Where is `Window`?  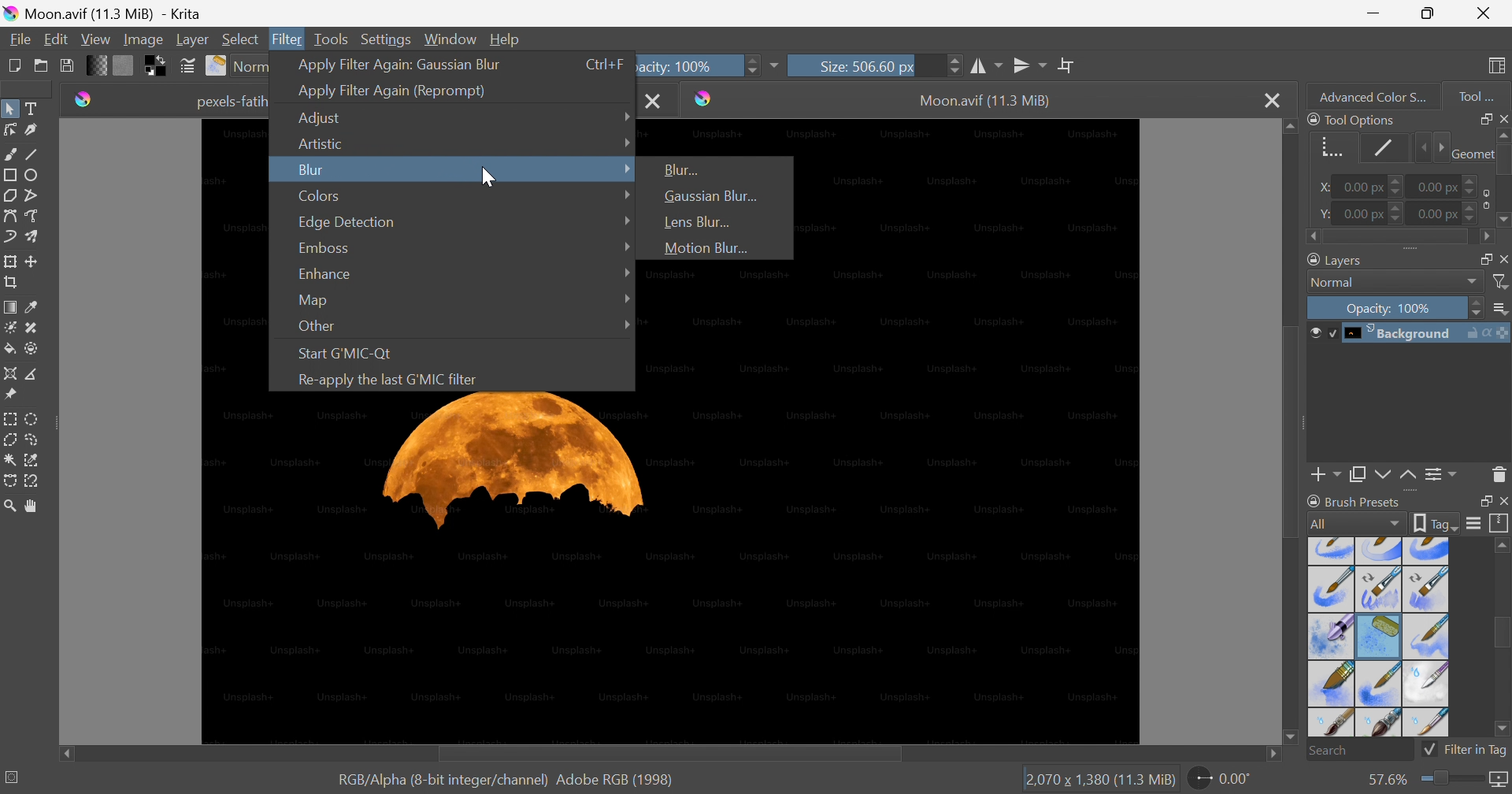 Window is located at coordinates (447, 40).